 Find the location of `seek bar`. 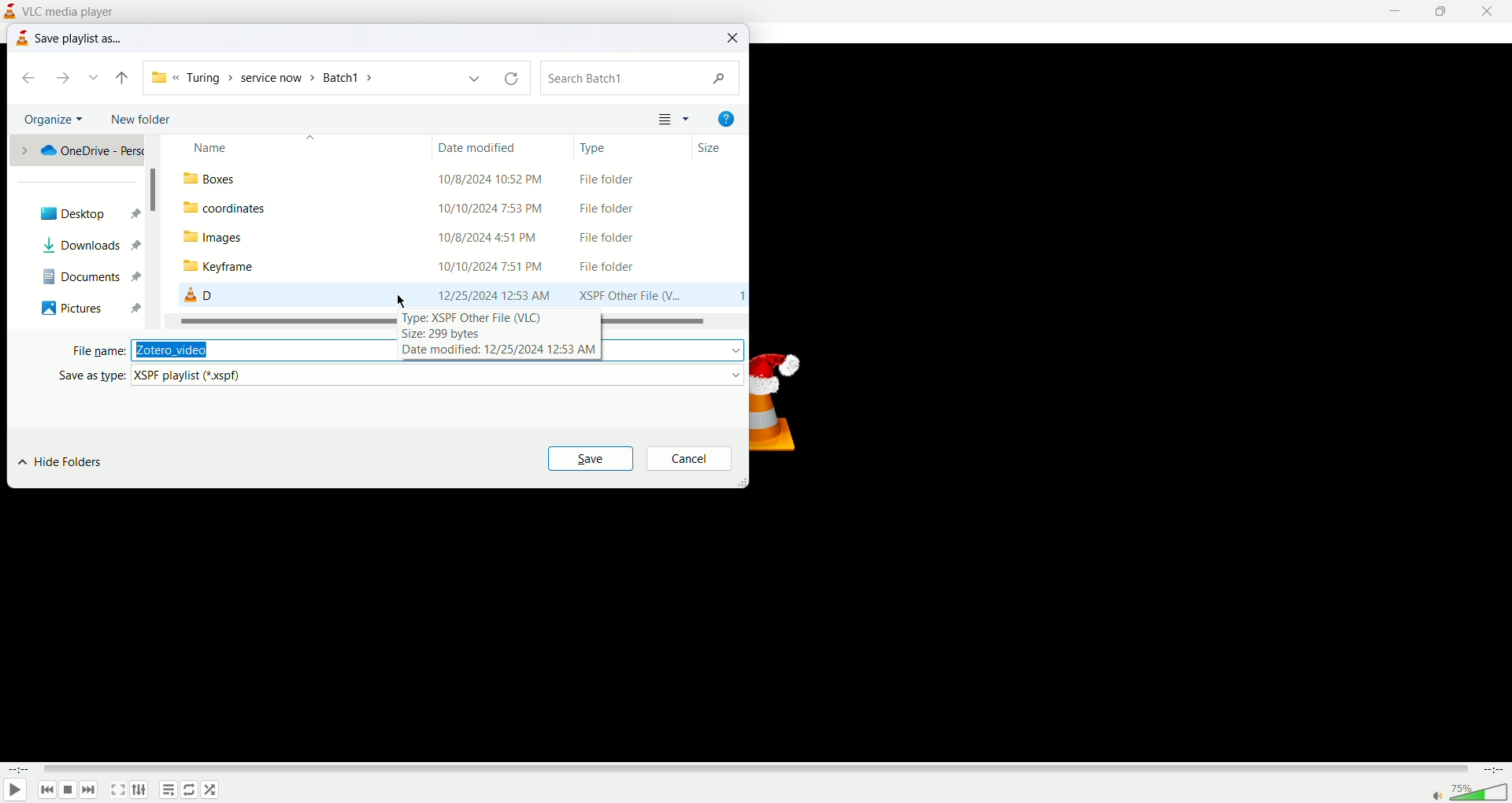

seek bar is located at coordinates (756, 768).